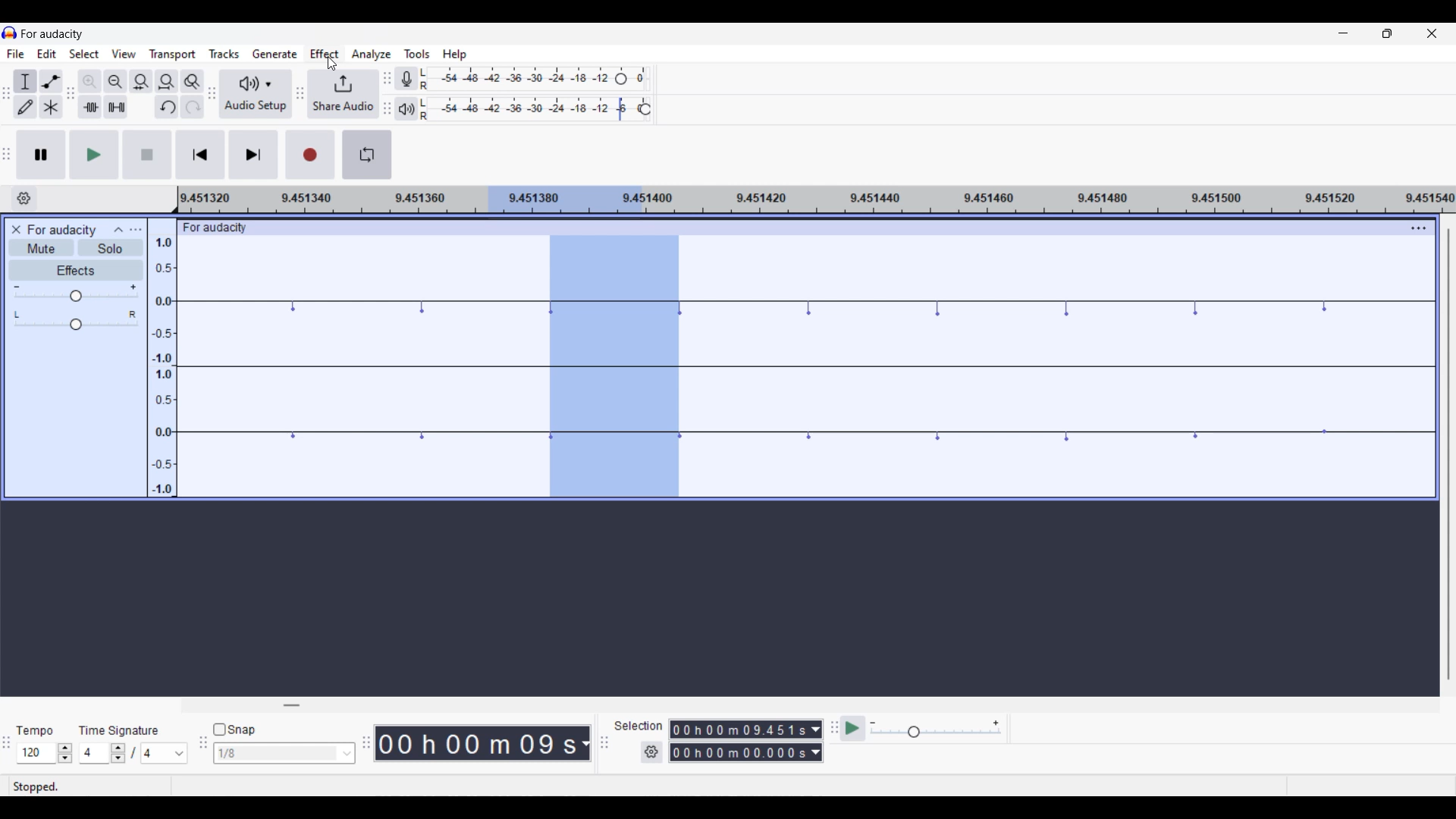 The width and height of the screenshot is (1456, 819). I want to click on Snap toggle options, so click(284, 753).